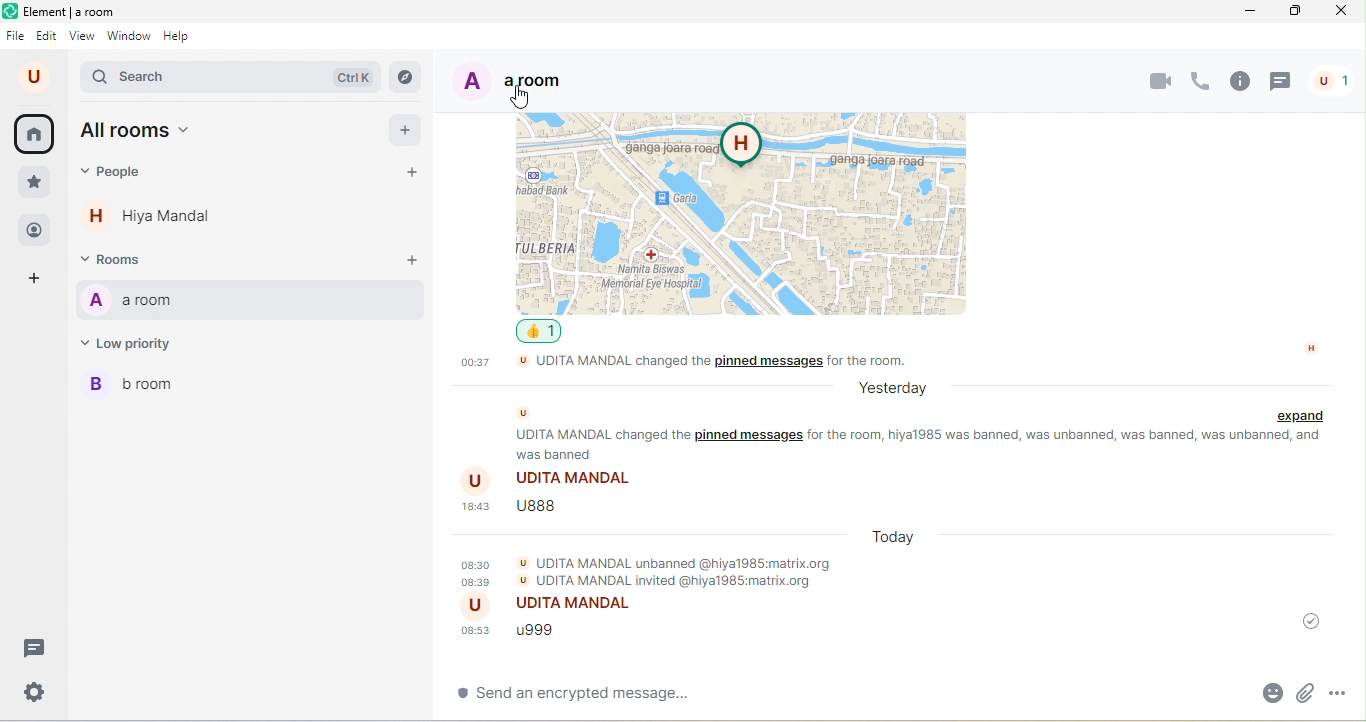 This screenshot has width=1366, height=722. I want to click on cursor movement, so click(522, 99).